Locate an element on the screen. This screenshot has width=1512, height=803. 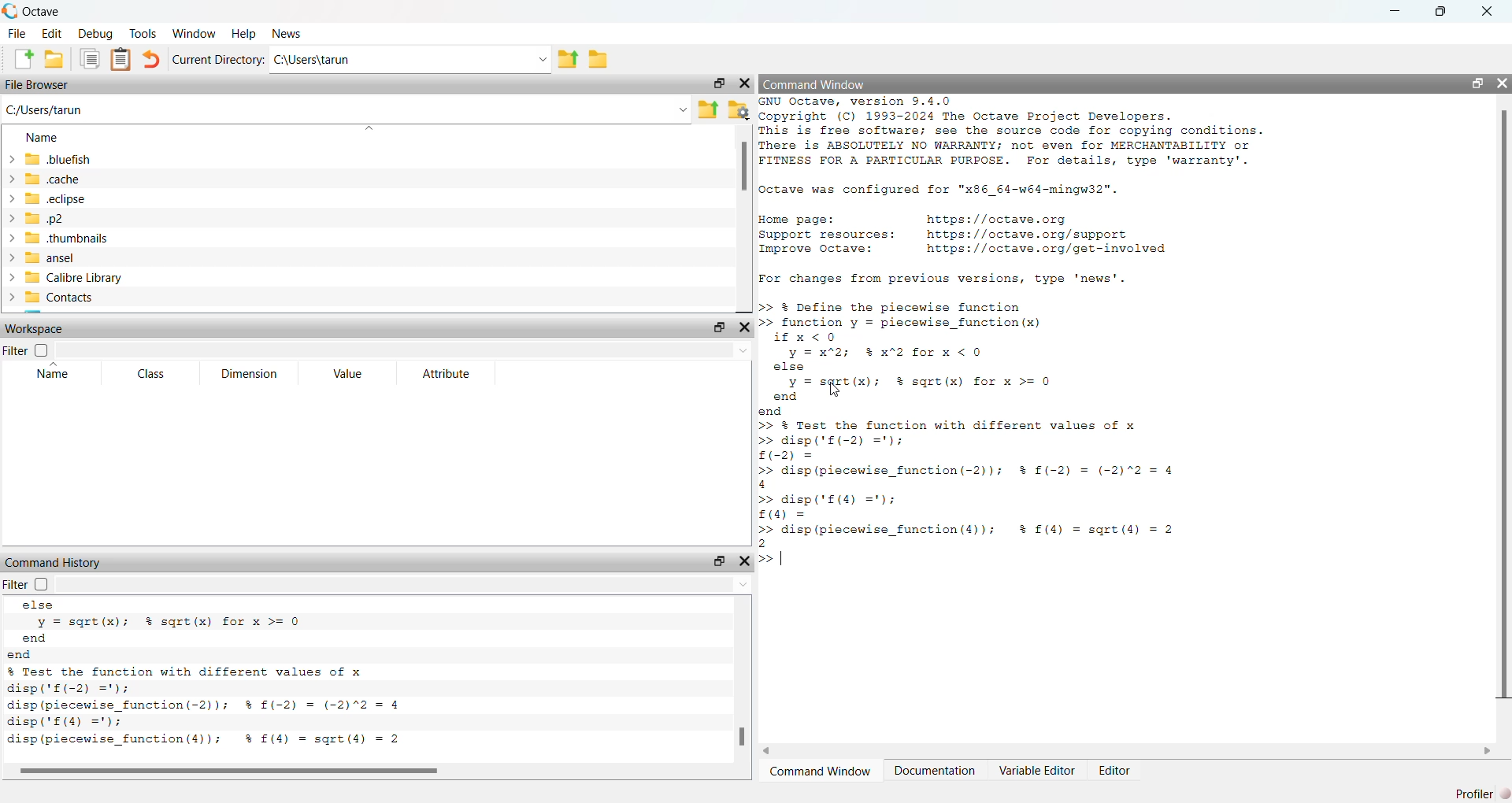
C:/users/tarun is located at coordinates (346, 109).